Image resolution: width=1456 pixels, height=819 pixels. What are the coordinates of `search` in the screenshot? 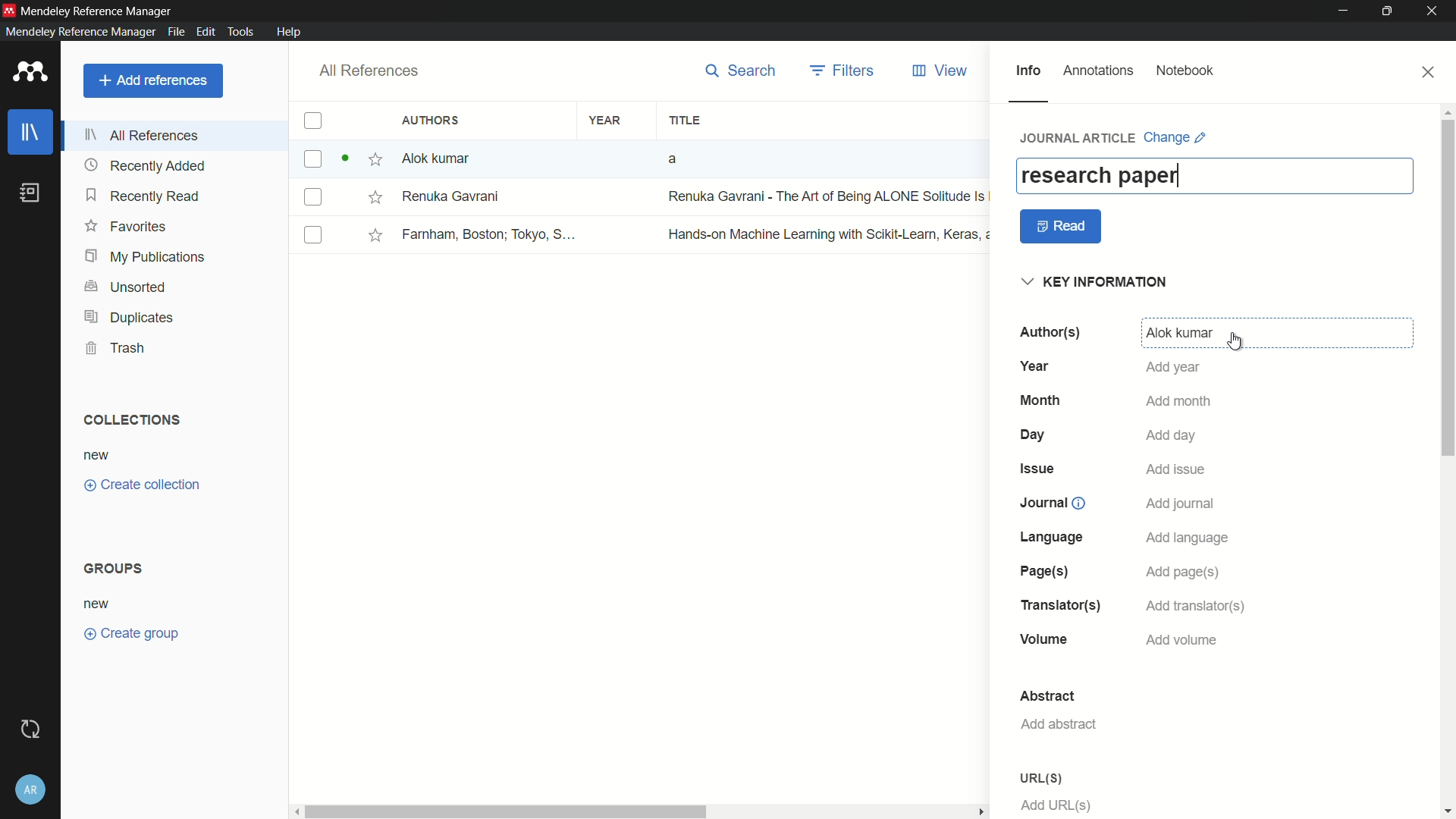 It's located at (741, 71).